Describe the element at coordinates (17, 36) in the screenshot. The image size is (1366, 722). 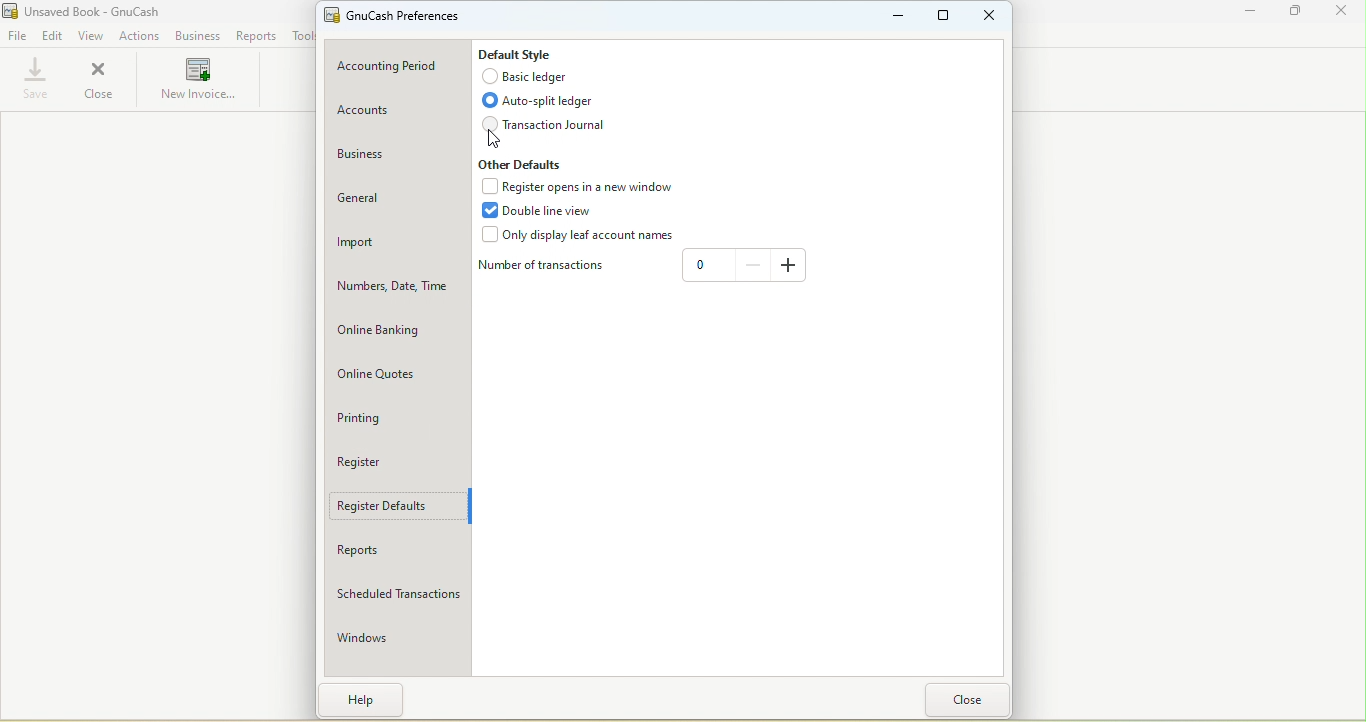
I see `File ` at that location.